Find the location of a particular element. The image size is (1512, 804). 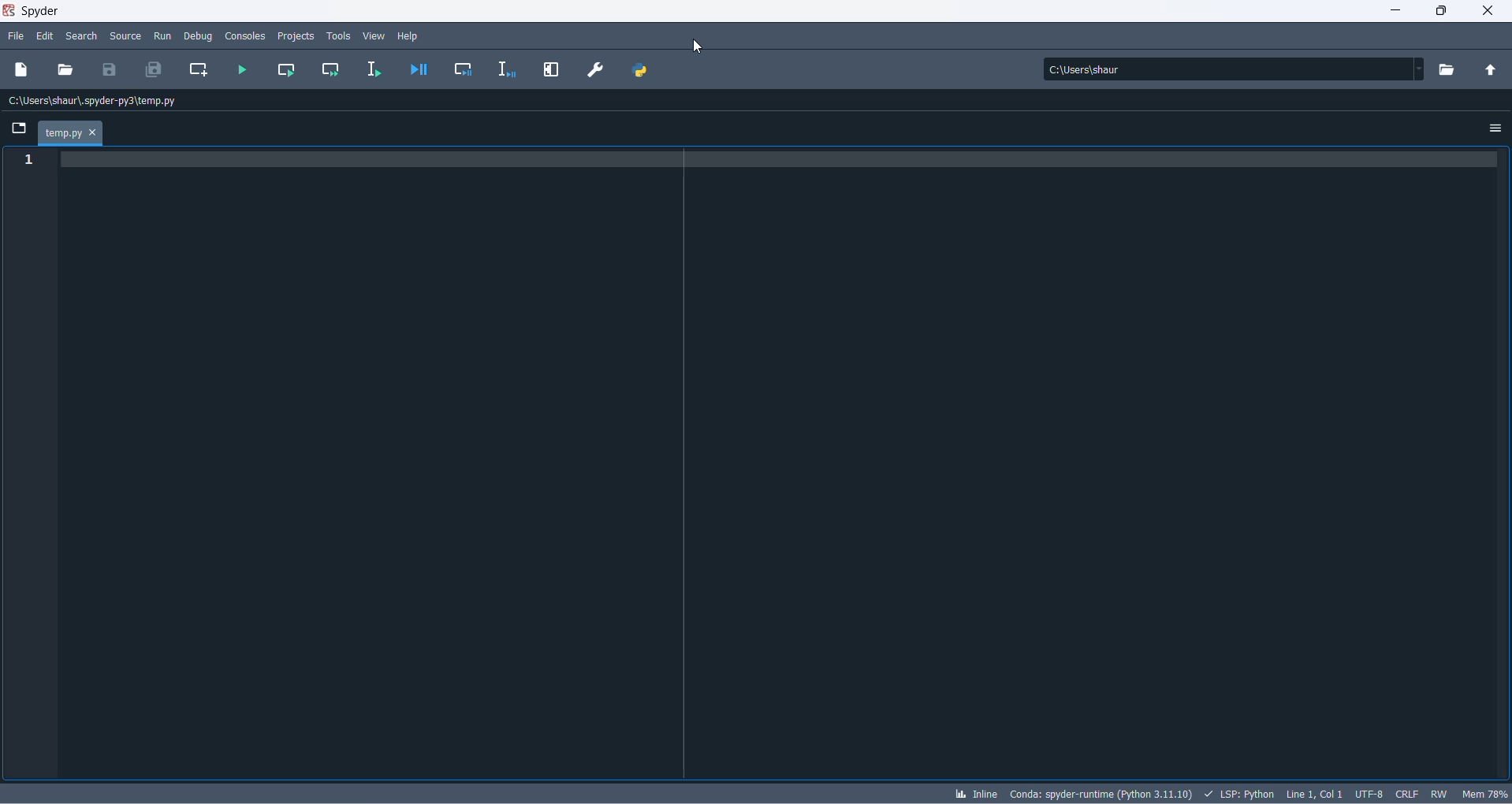

debug selection is located at coordinates (505, 71).